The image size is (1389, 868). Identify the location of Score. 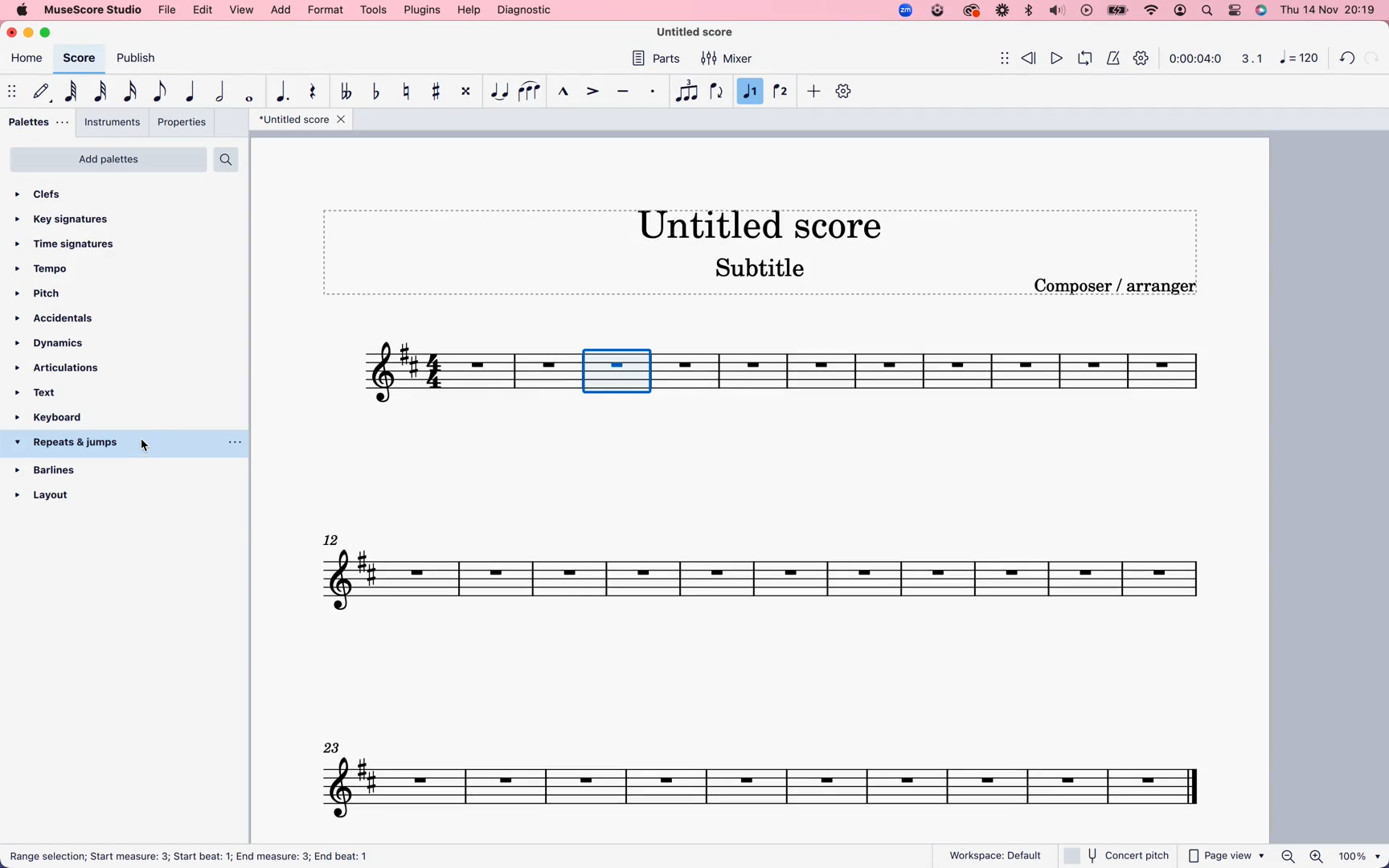
(468, 373).